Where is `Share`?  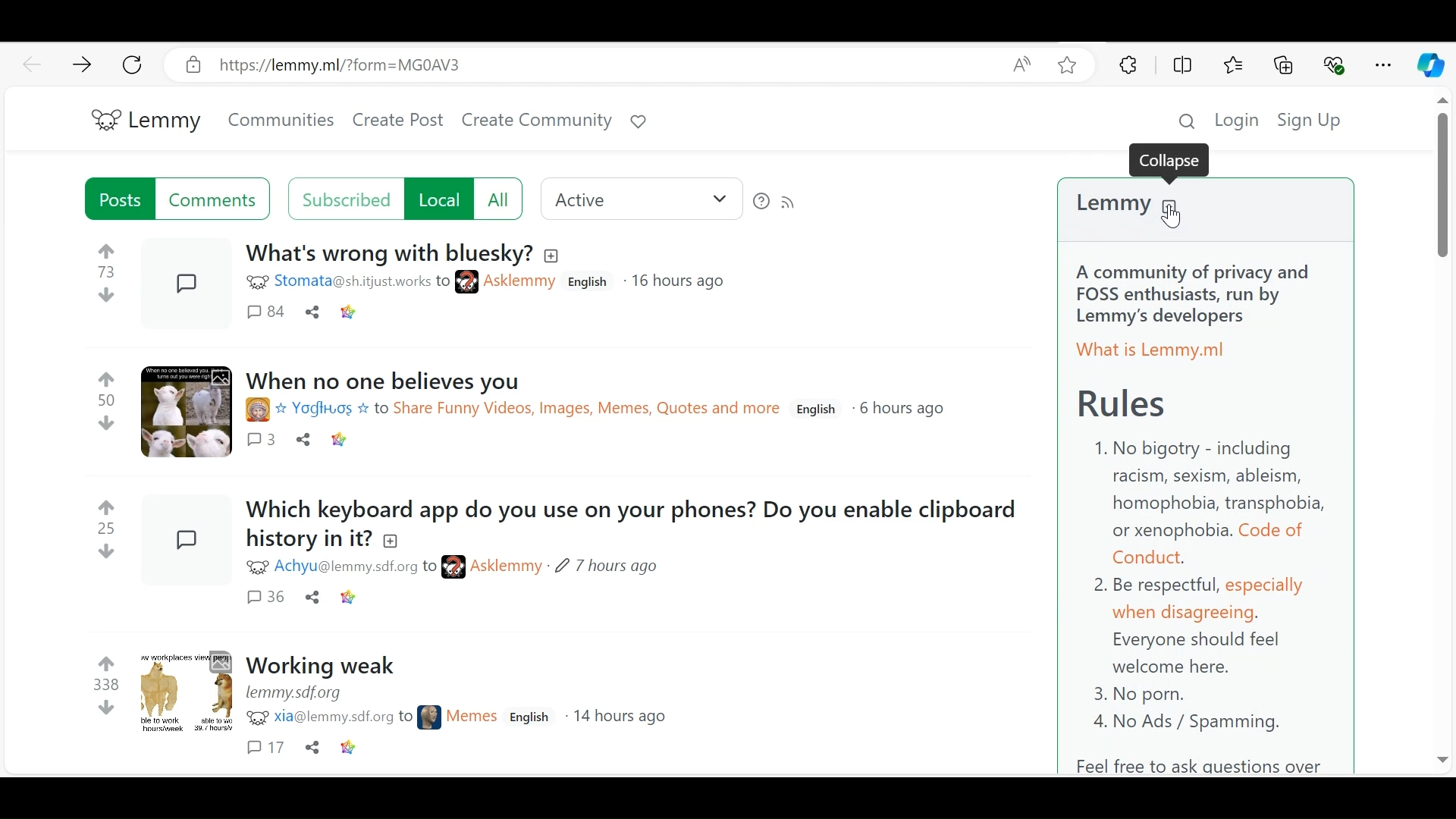
Share is located at coordinates (312, 311).